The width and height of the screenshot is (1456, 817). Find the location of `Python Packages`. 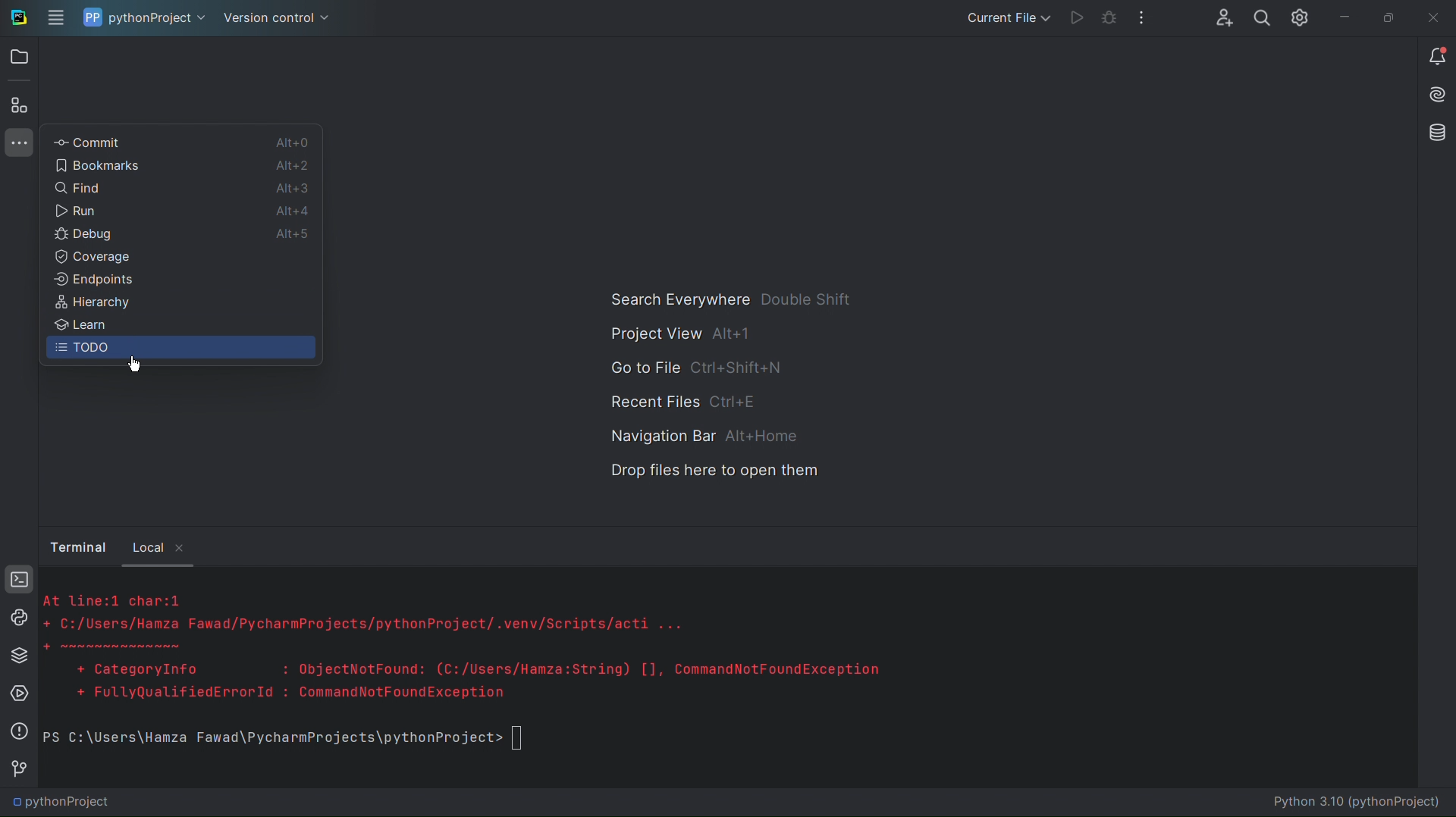

Python Packages is located at coordinates (19, 656).